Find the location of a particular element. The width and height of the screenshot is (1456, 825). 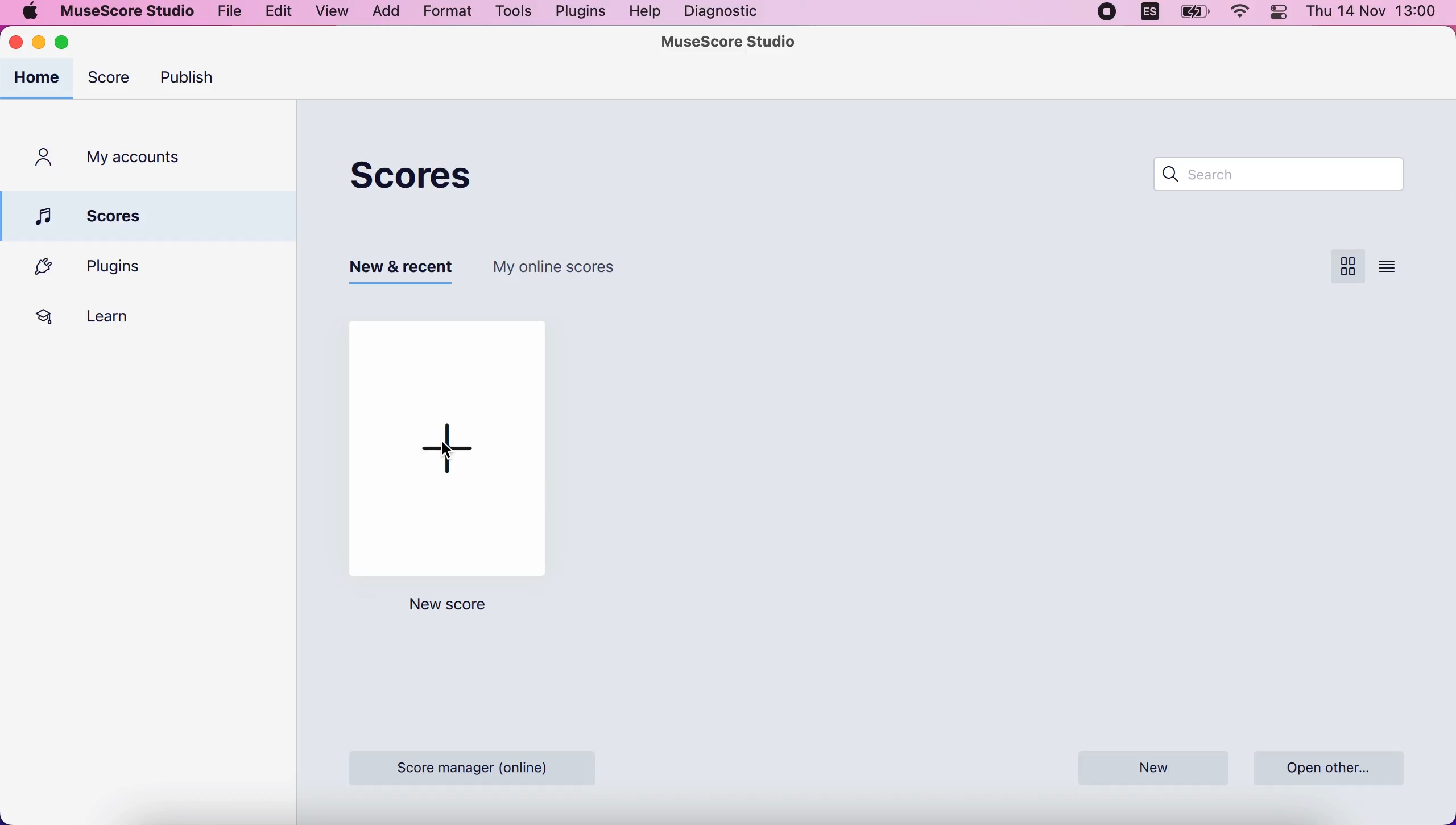

new score is located at coordinates (449, 442).